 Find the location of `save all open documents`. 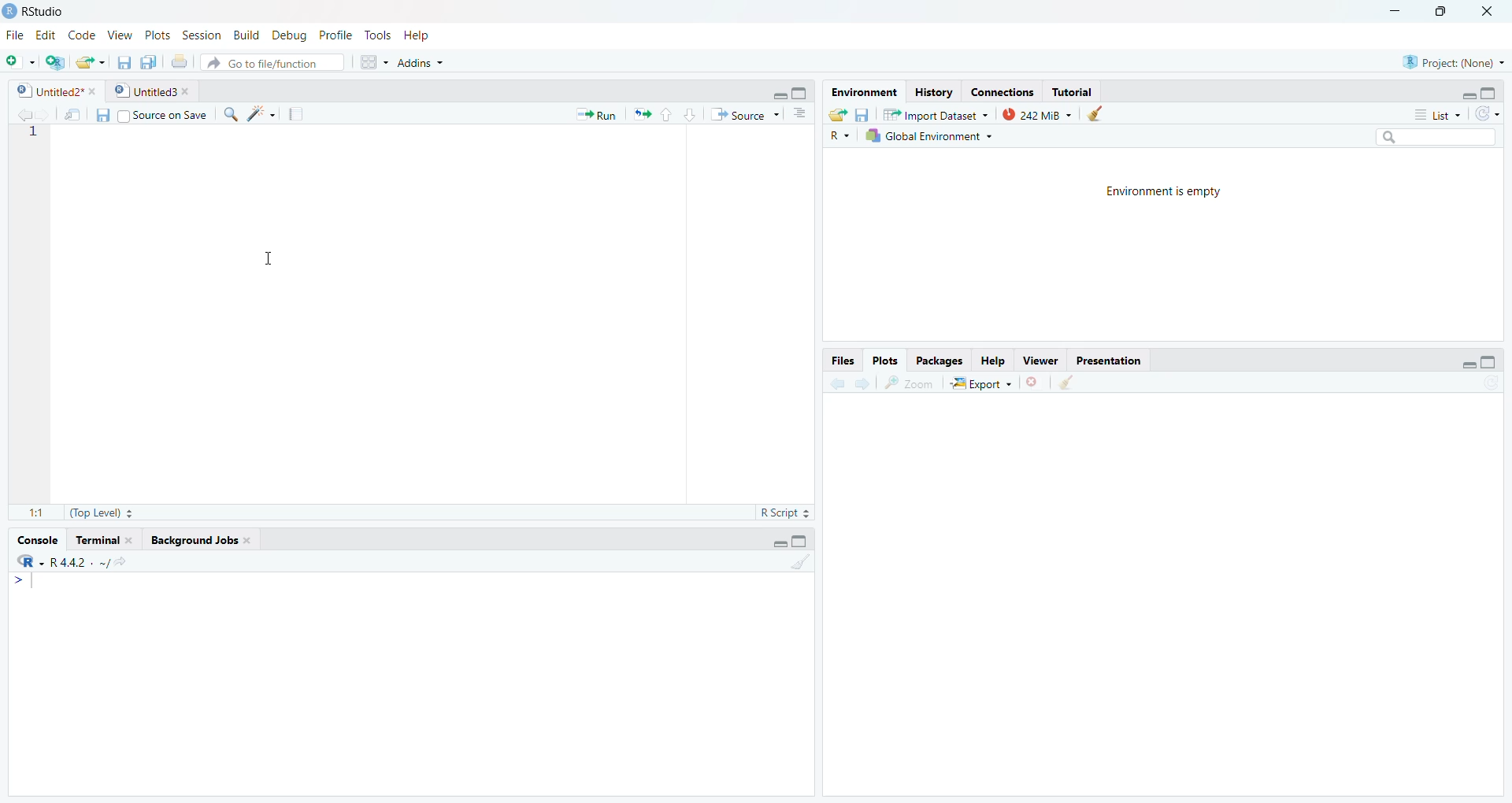

save all open documents is located at coordinates (148, 61).